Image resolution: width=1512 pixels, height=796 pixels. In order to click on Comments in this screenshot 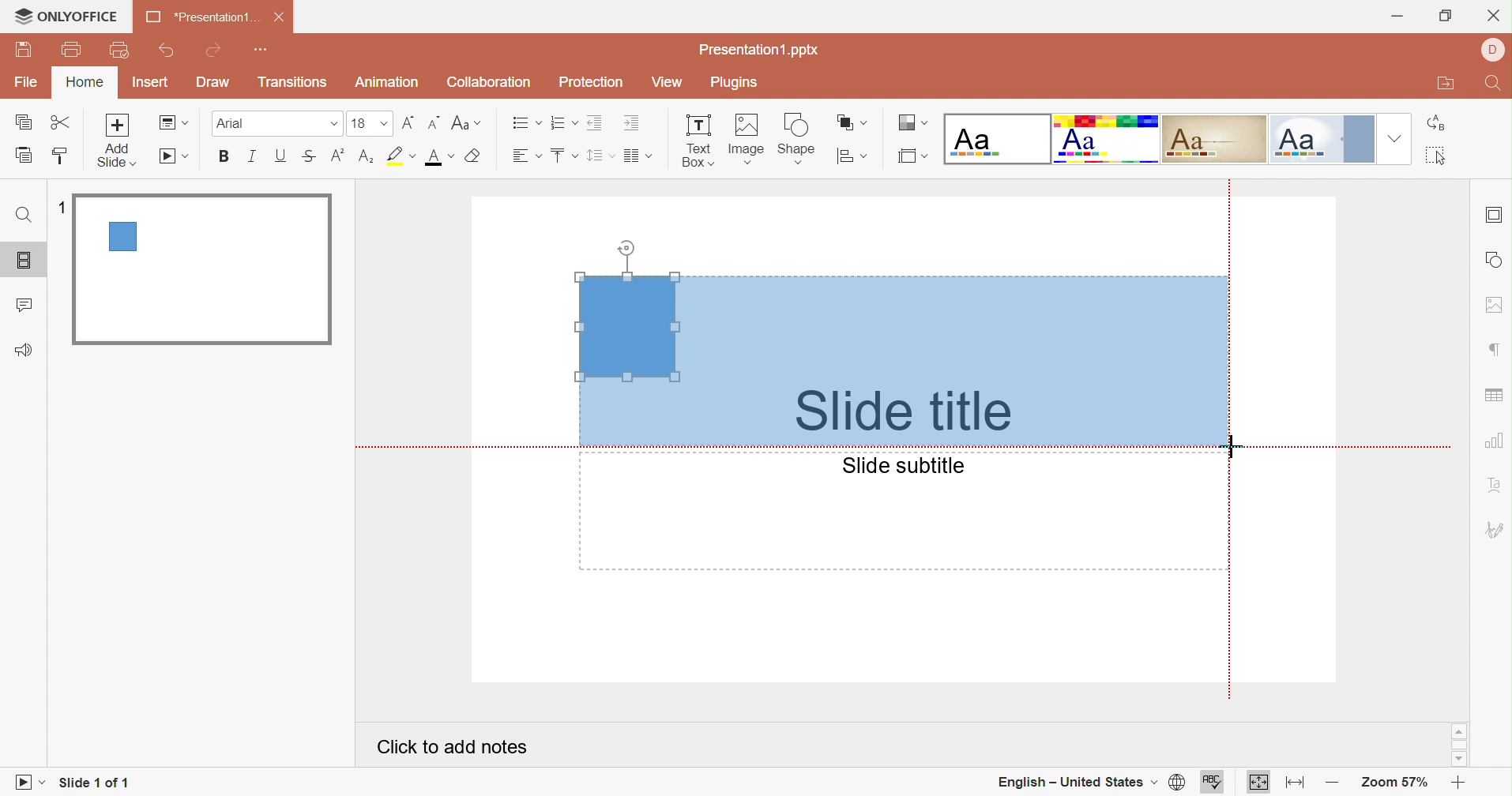, I will do `click(23, 307)`.